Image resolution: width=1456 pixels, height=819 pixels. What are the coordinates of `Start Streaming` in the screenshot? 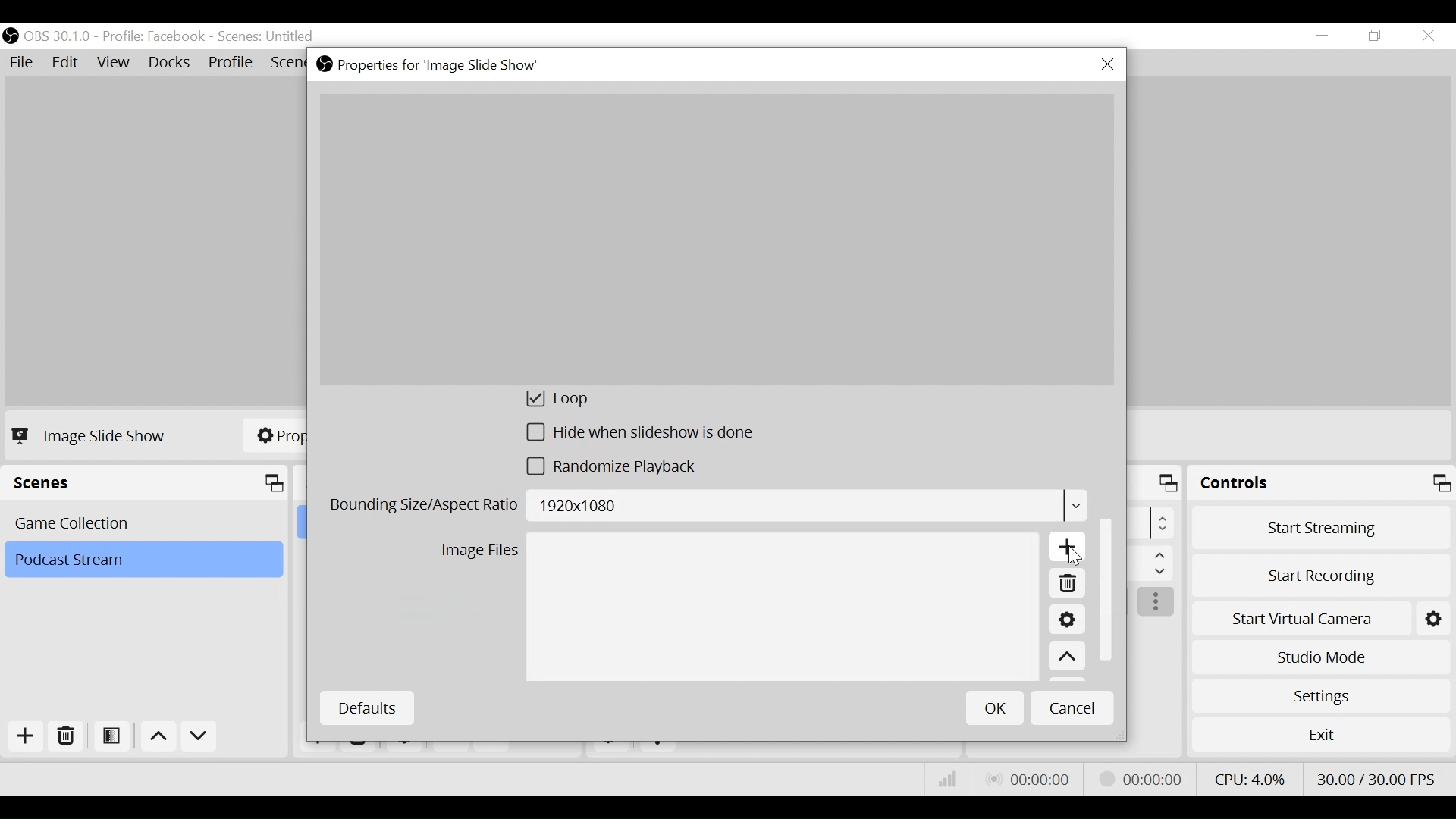 It's located at (1322, 527).